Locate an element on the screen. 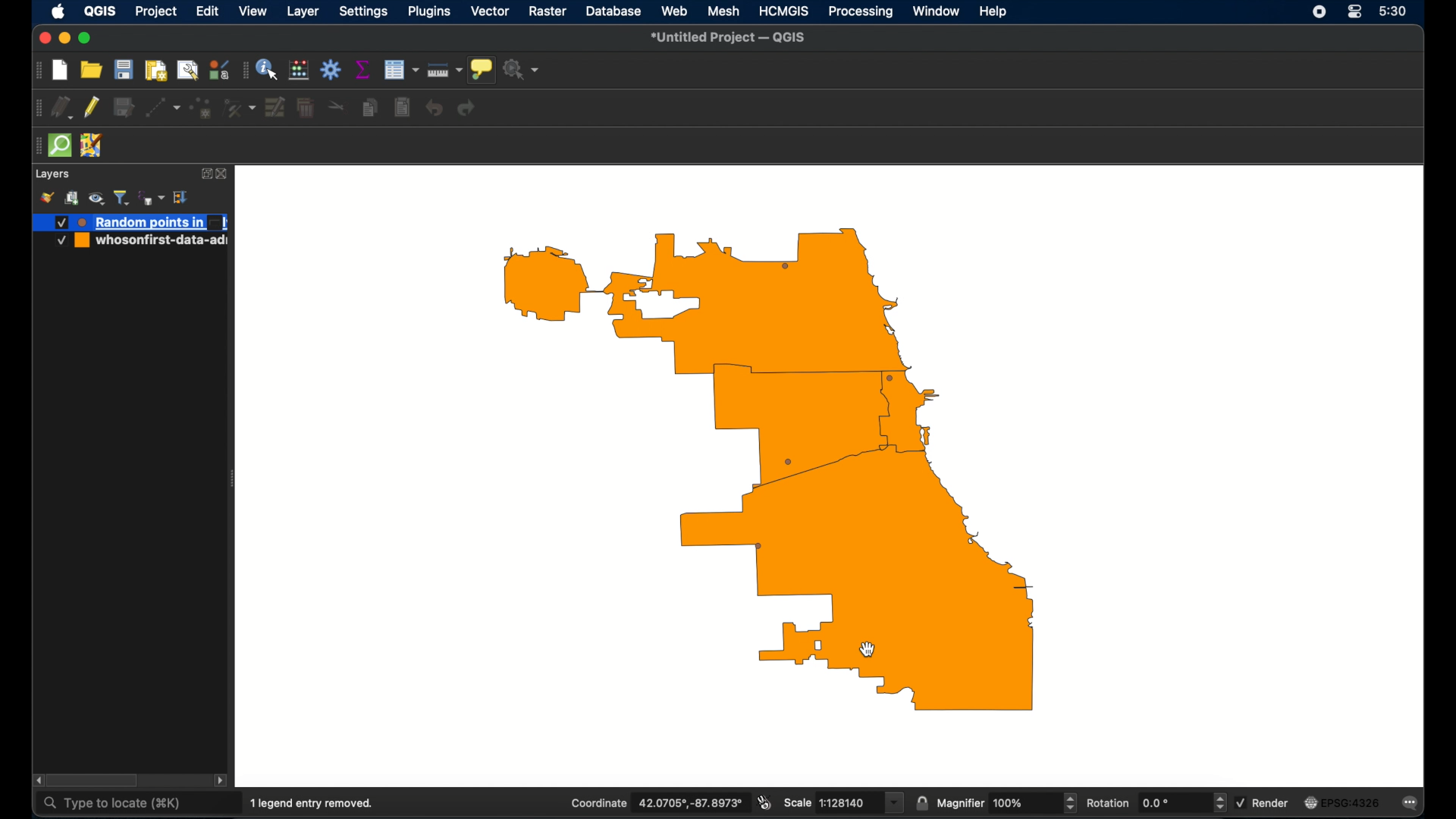 The image size is (1456, 819). add group is located at coordinates (73, 198).